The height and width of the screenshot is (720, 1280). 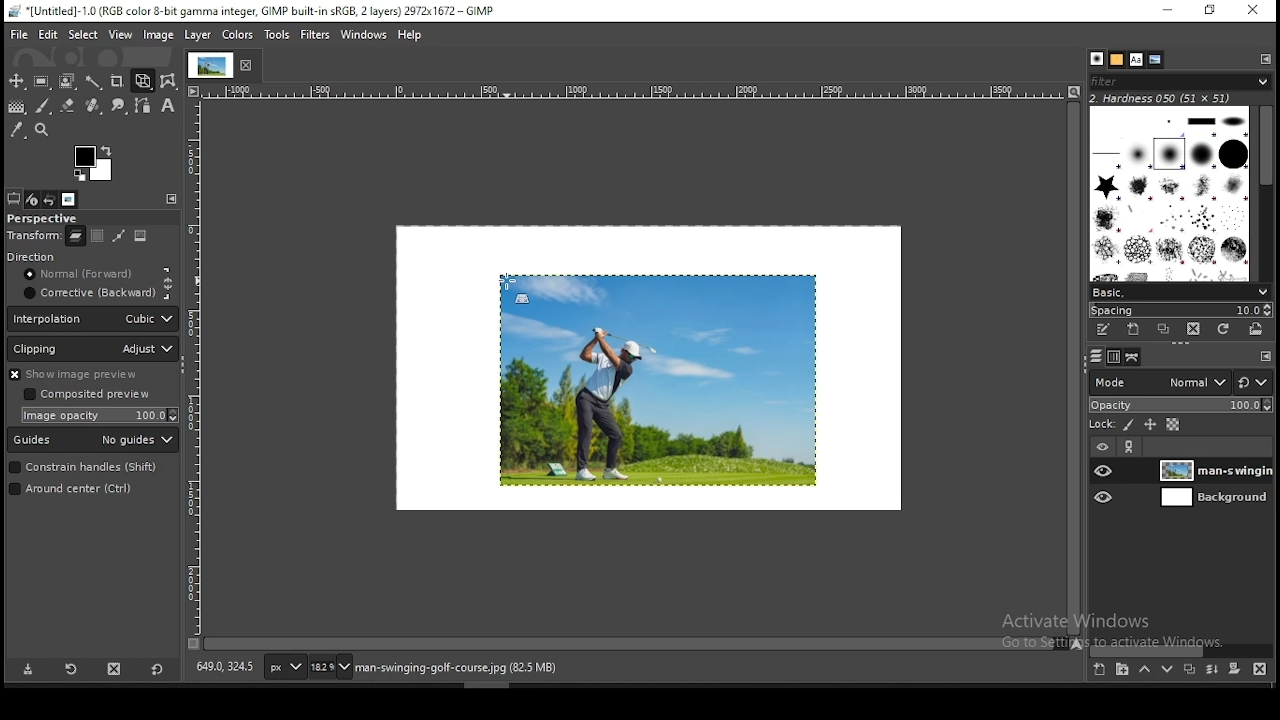 What do you see at coordinates (69, 103) in the screenshot?
I see `eraser tool` at bounding box center [69, 103].